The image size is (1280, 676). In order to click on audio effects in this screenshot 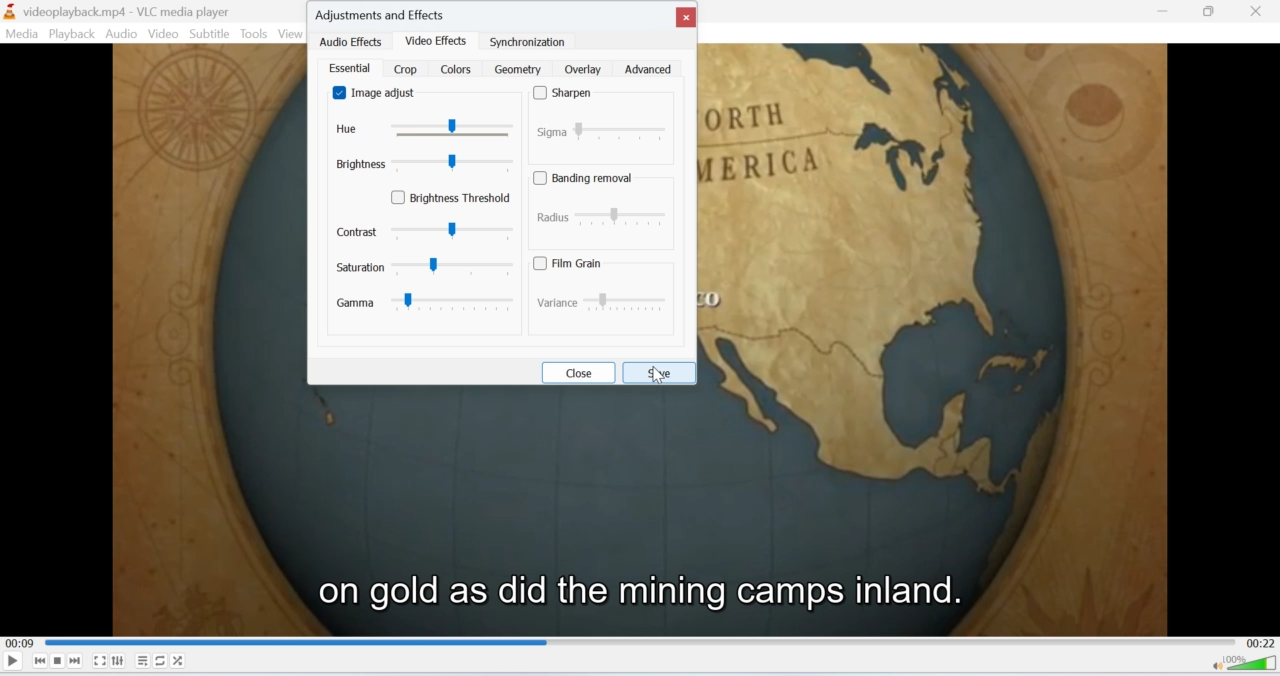, I will do `click(354, 43)`.